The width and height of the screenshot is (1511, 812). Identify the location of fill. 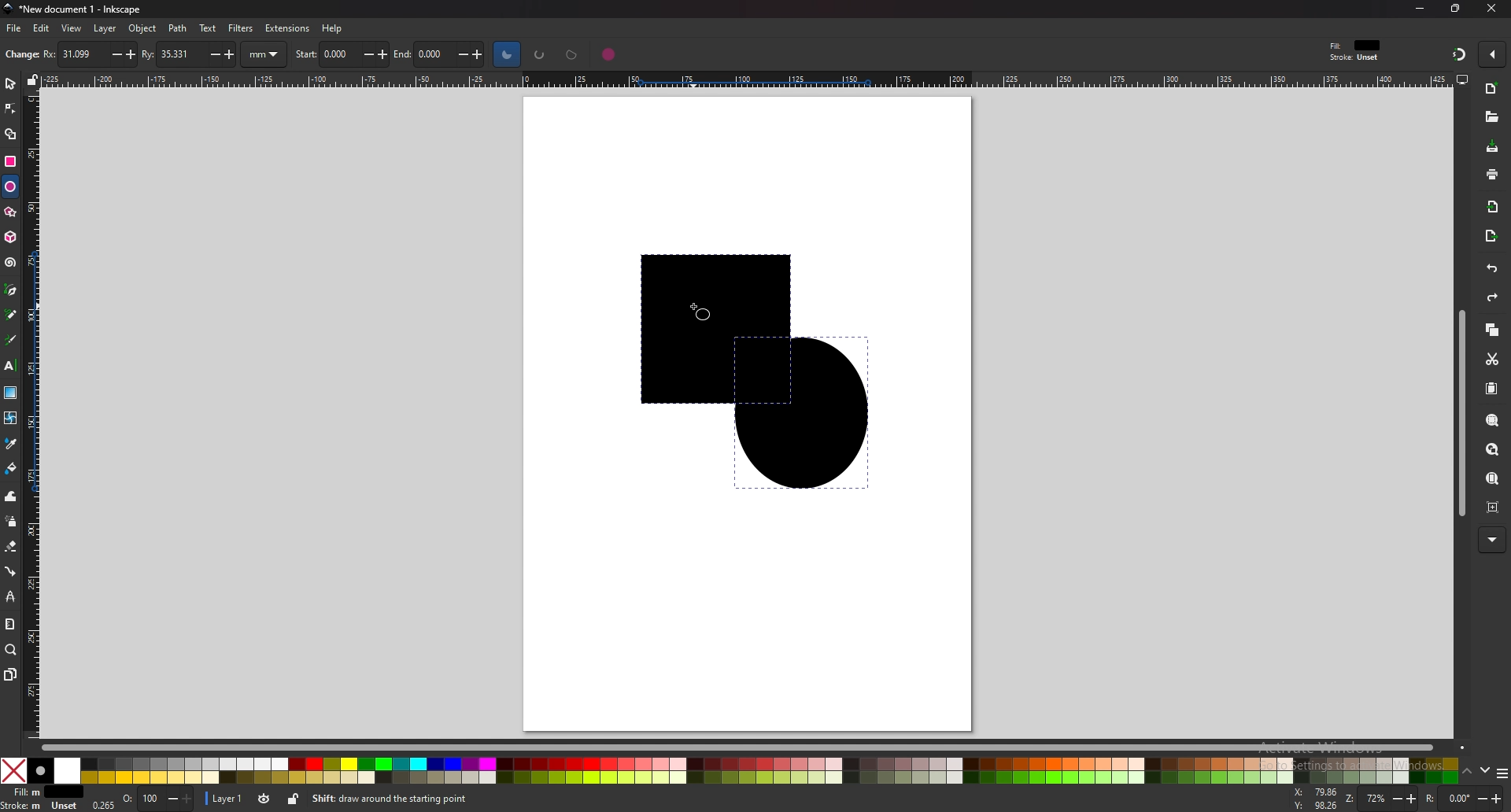
(42, 792).